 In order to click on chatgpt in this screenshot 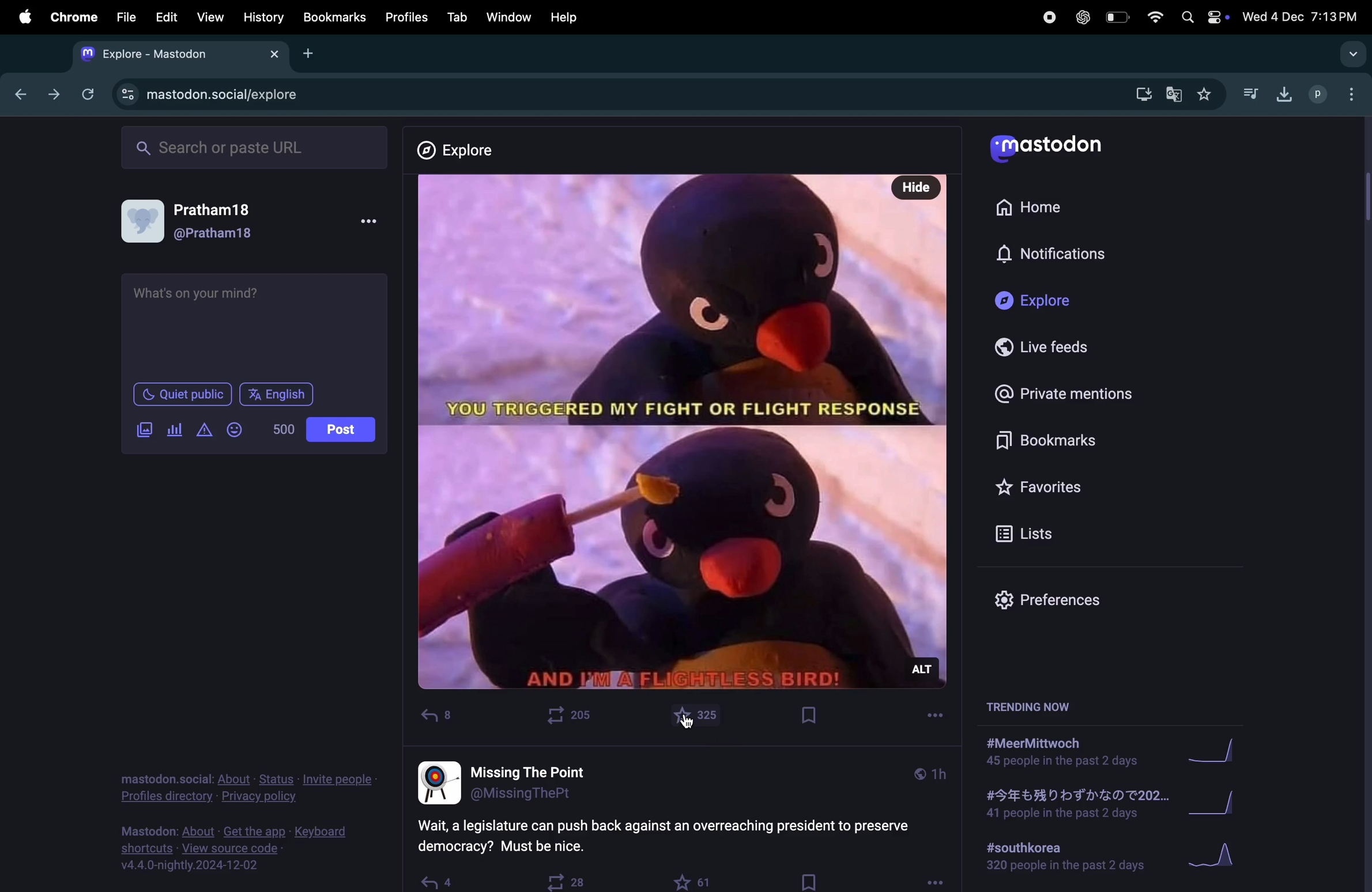, I will do `click(1080, 17)`.